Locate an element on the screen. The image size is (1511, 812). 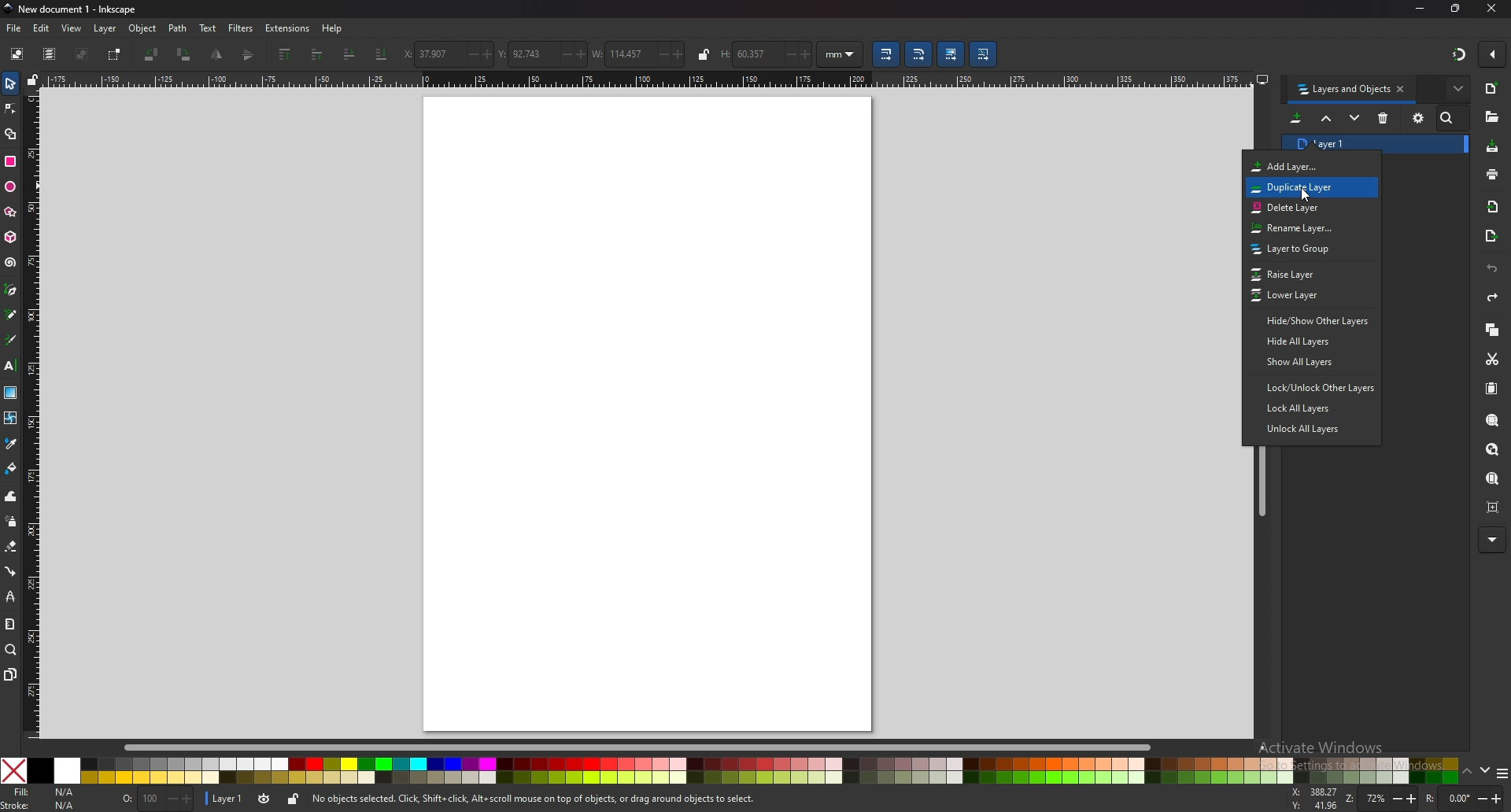
resize is located at coordinates (1456, 8).